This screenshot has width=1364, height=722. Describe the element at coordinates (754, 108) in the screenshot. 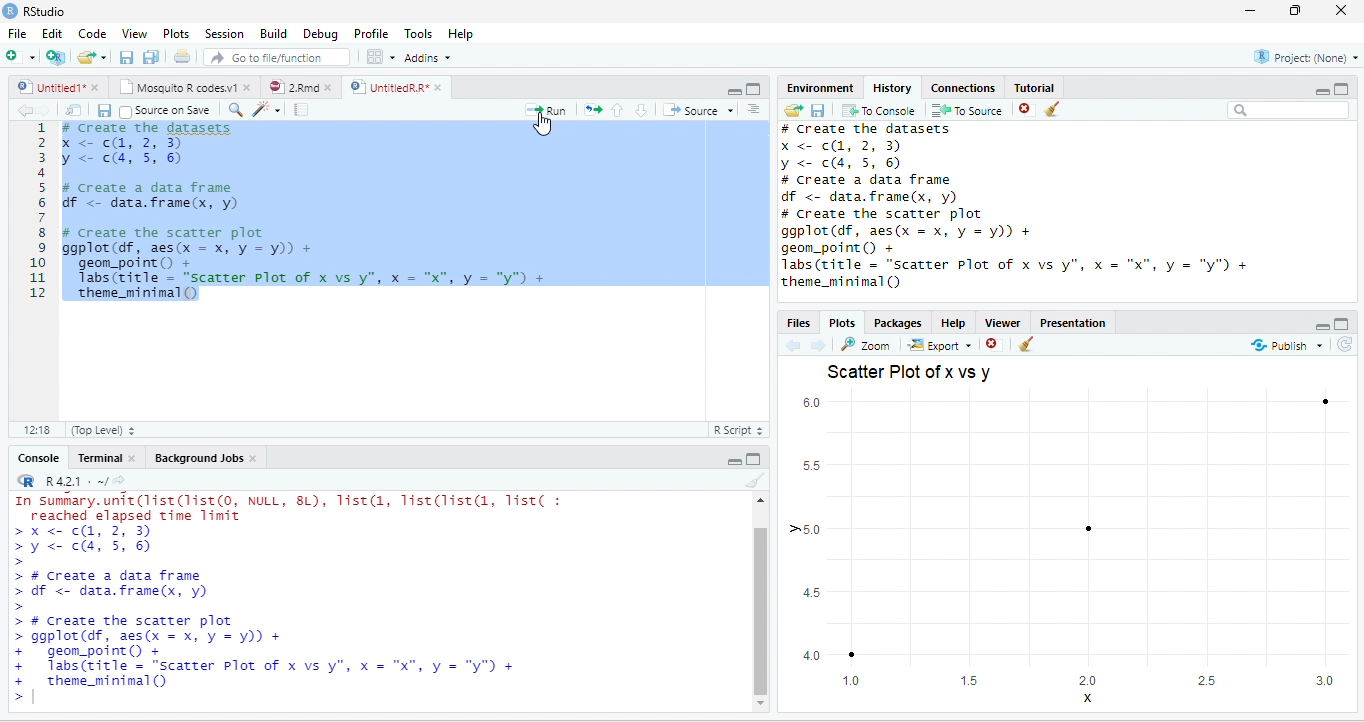

I see `Show document outline` at that location.